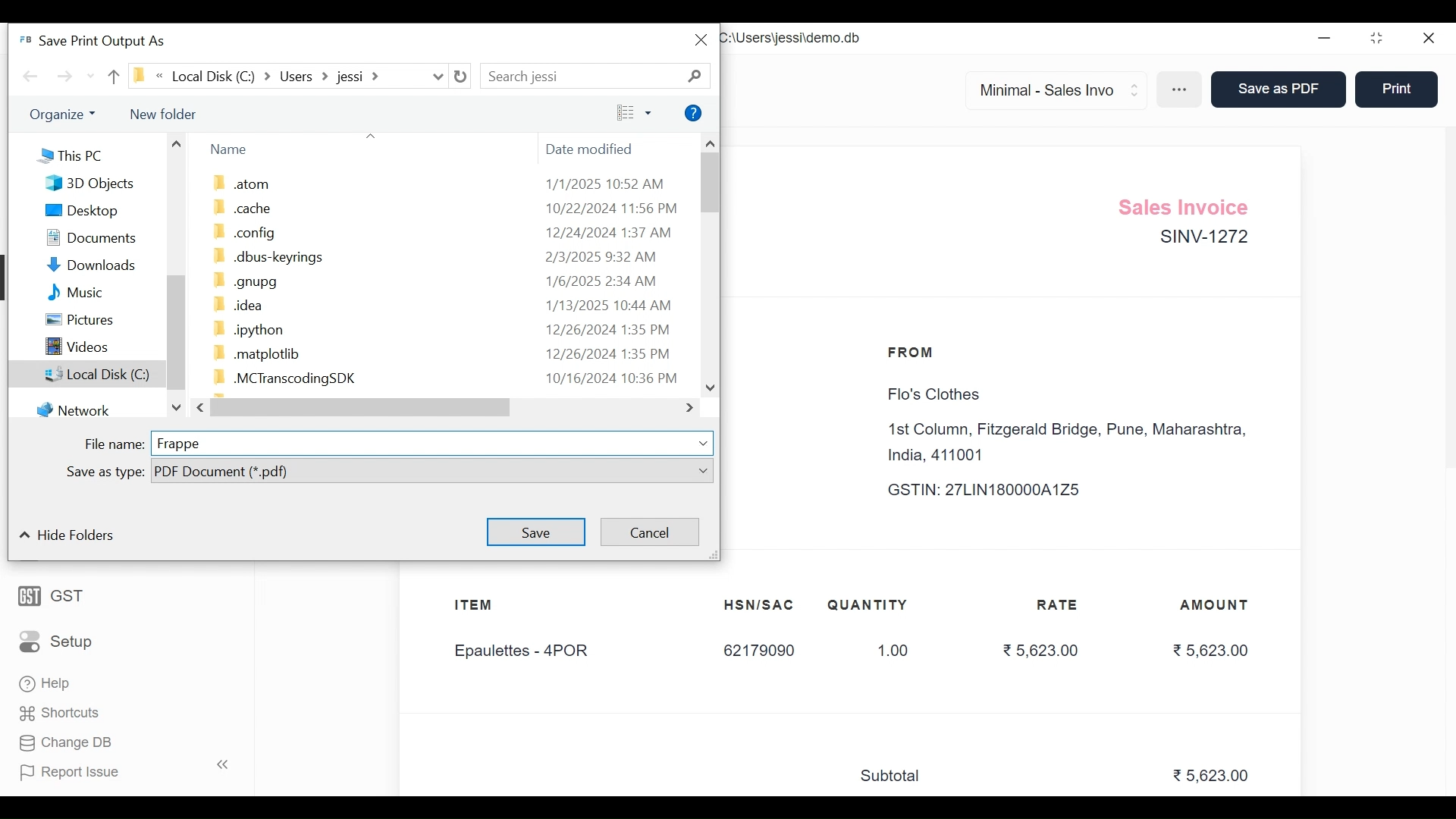  What do you see at coordinates (84, 373) in the screenshot?
I see `Local Disk (C:)` at bounding box center [84, 373].